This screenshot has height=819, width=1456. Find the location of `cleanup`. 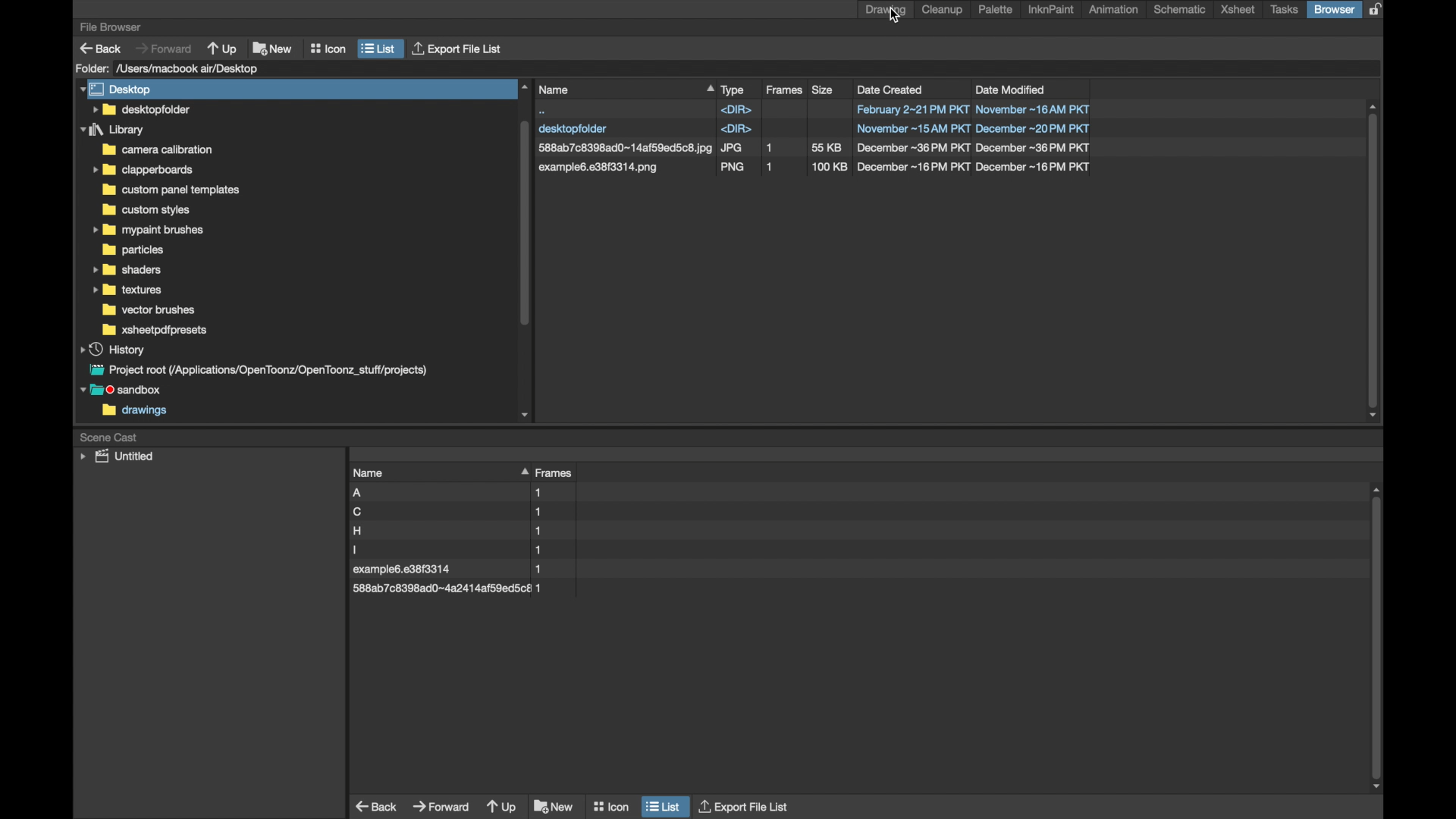

cleanup is located at coordinates (945, 10).